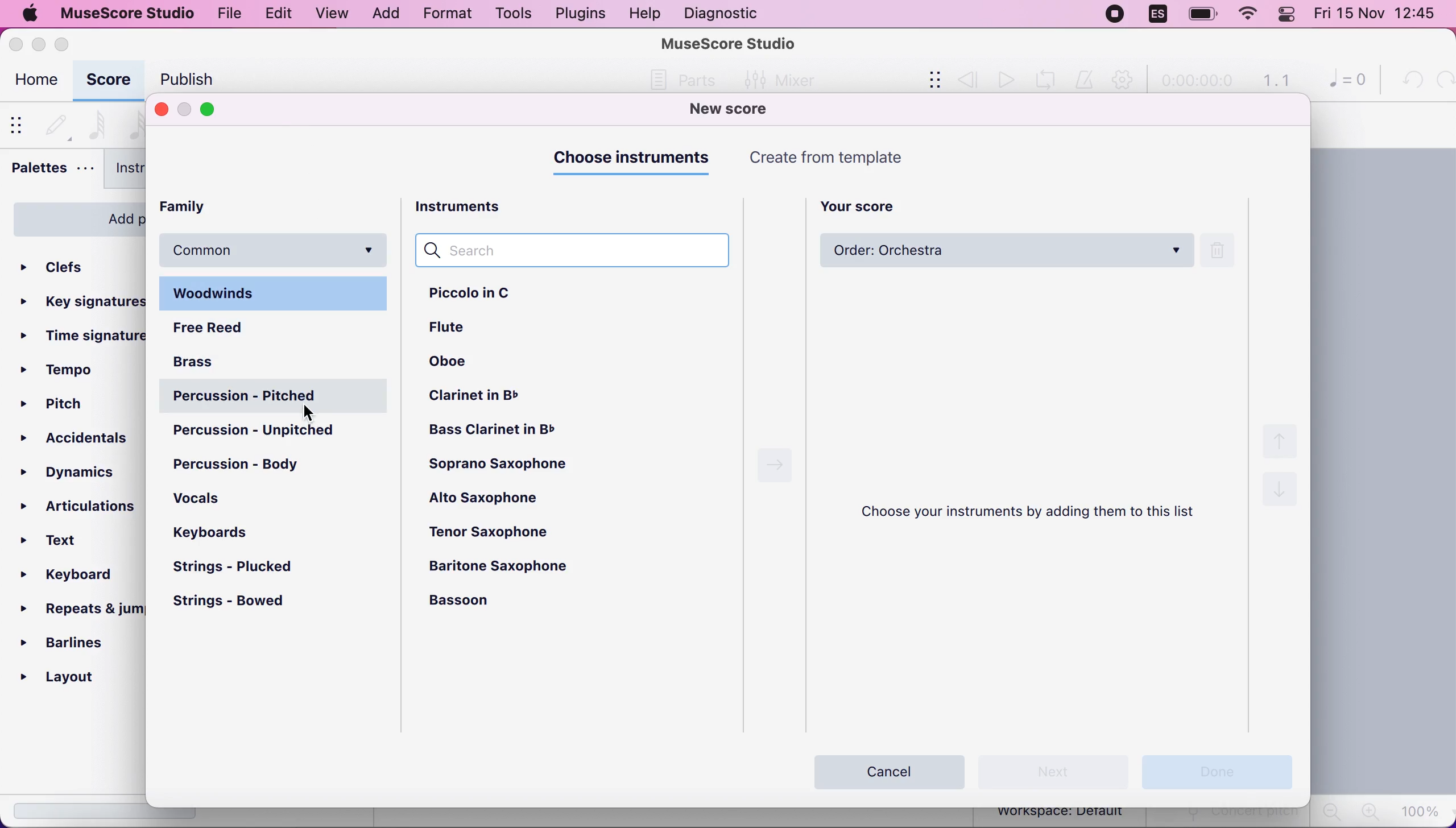  What do you see at coordinates (1289, 15) in the screenshot?
I see `panel control` at bounding box center [1289, 15].